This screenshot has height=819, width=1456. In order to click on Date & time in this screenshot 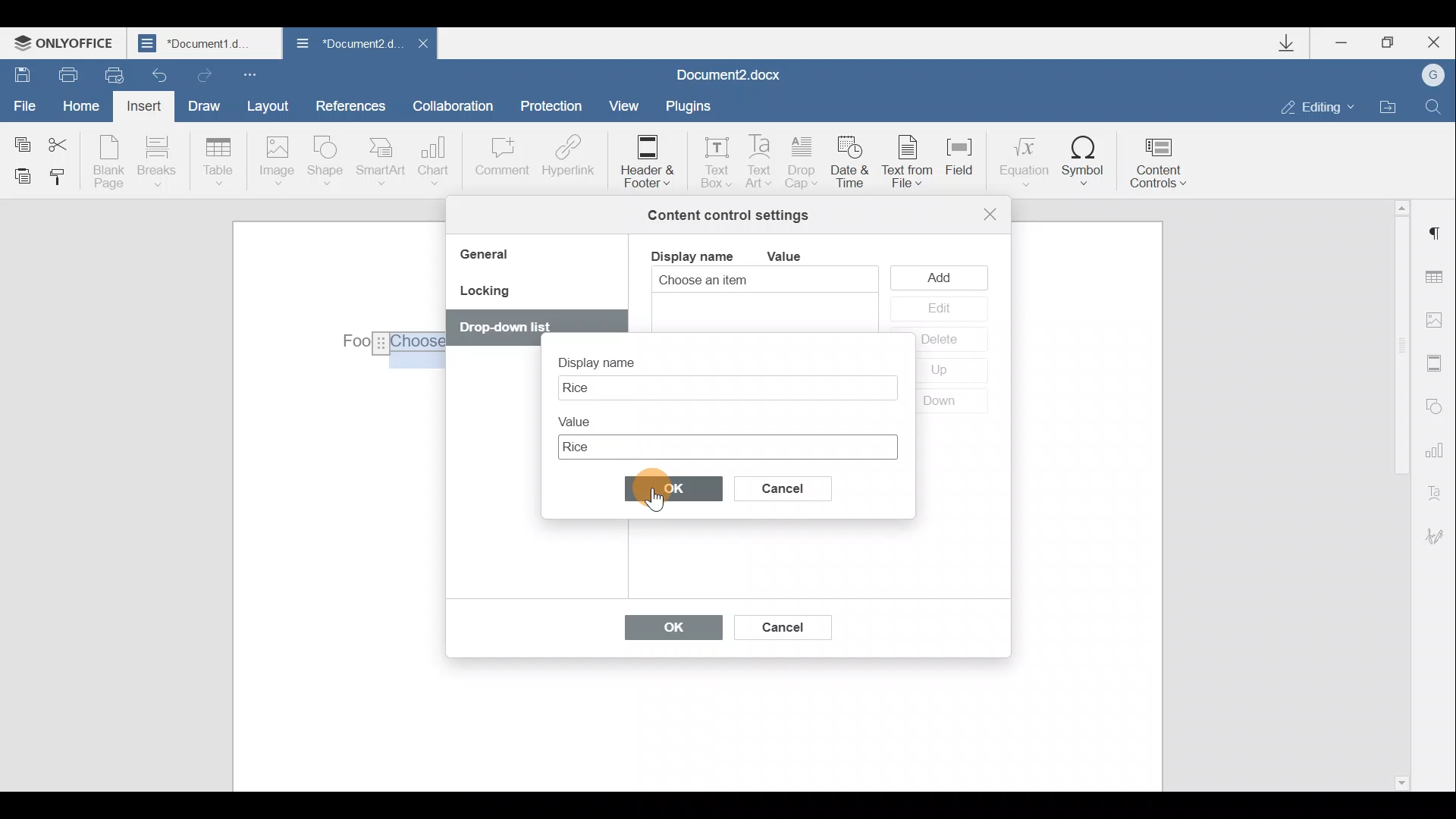, I will do `click(852, 165)`.